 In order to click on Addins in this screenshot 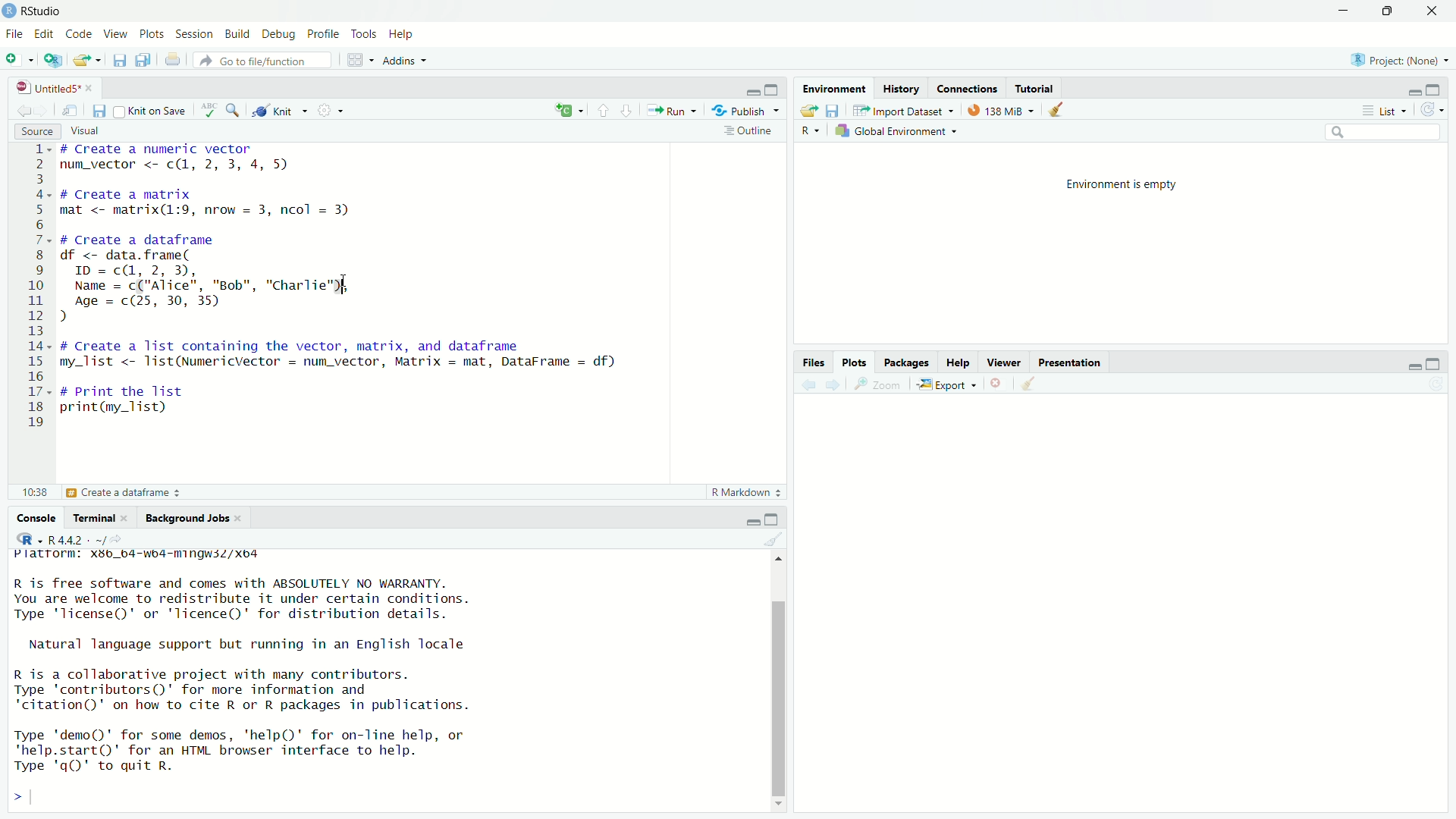, I will do `click(405, 61)`.